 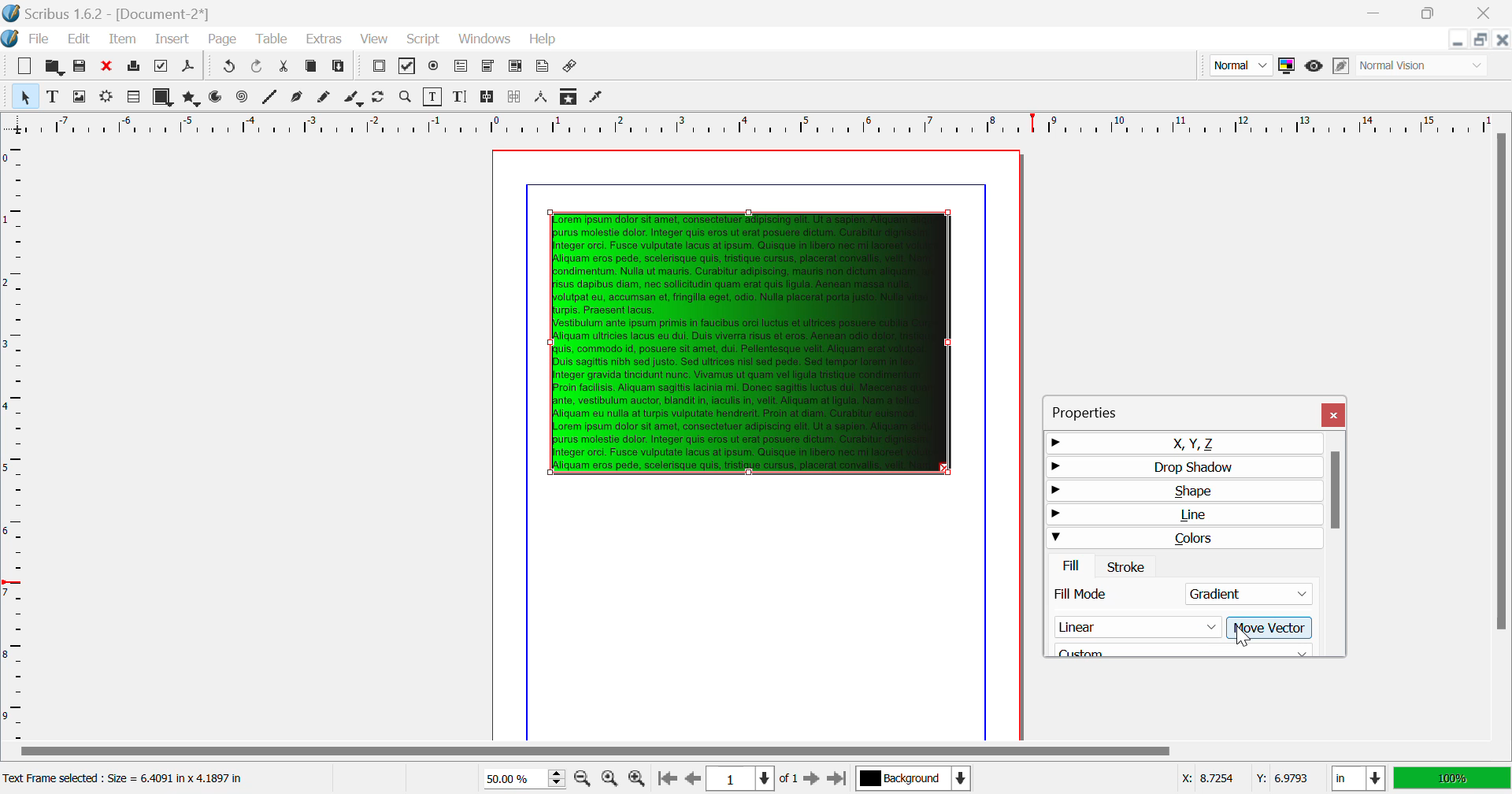 What do you see at coordinates (434, 68) in the screenshot?
I see `Pdf Radio Button` at bounding box center [434, 68].